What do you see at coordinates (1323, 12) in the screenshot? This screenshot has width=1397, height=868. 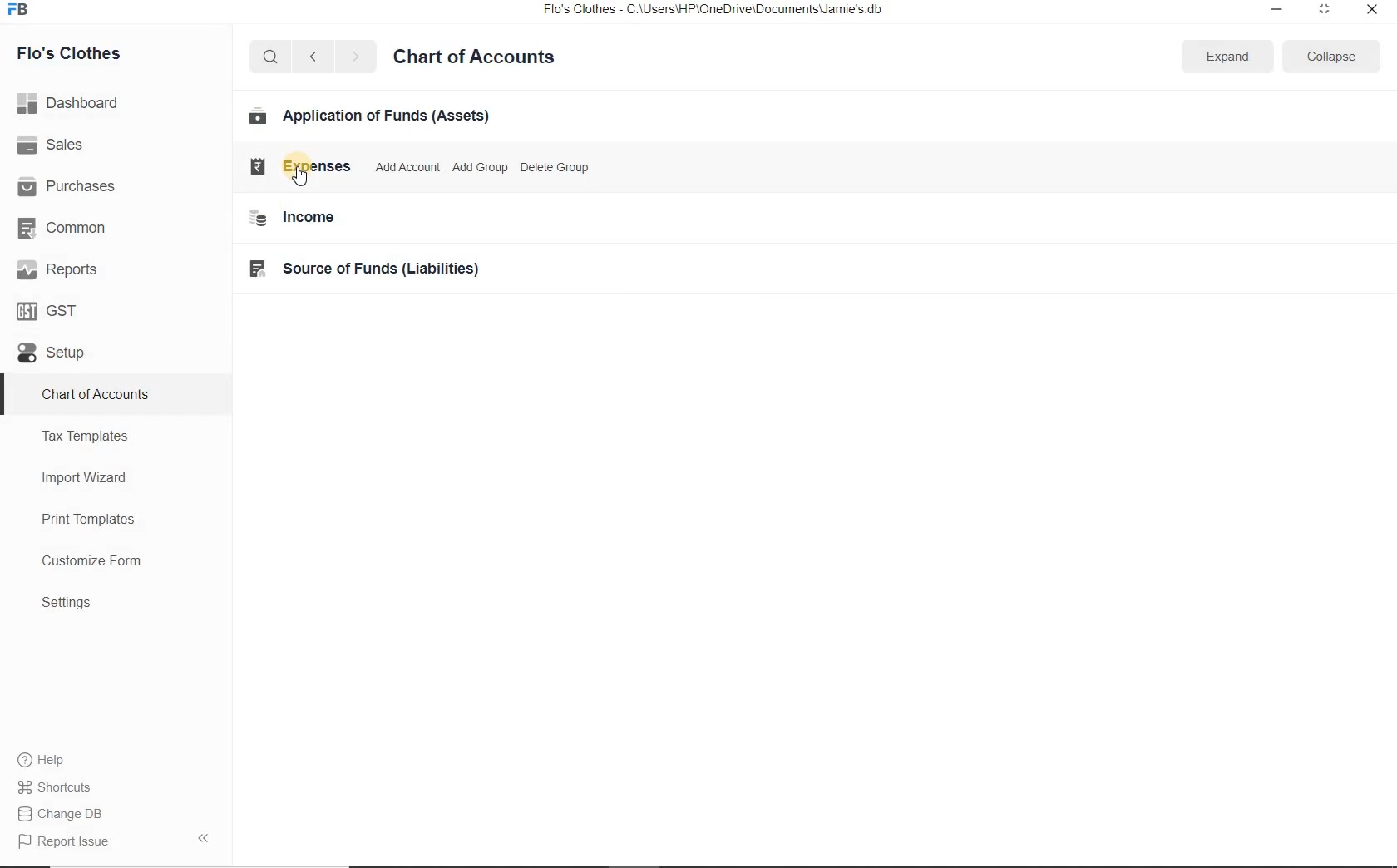 I see `restore down` at bounding box center [1323, 12].